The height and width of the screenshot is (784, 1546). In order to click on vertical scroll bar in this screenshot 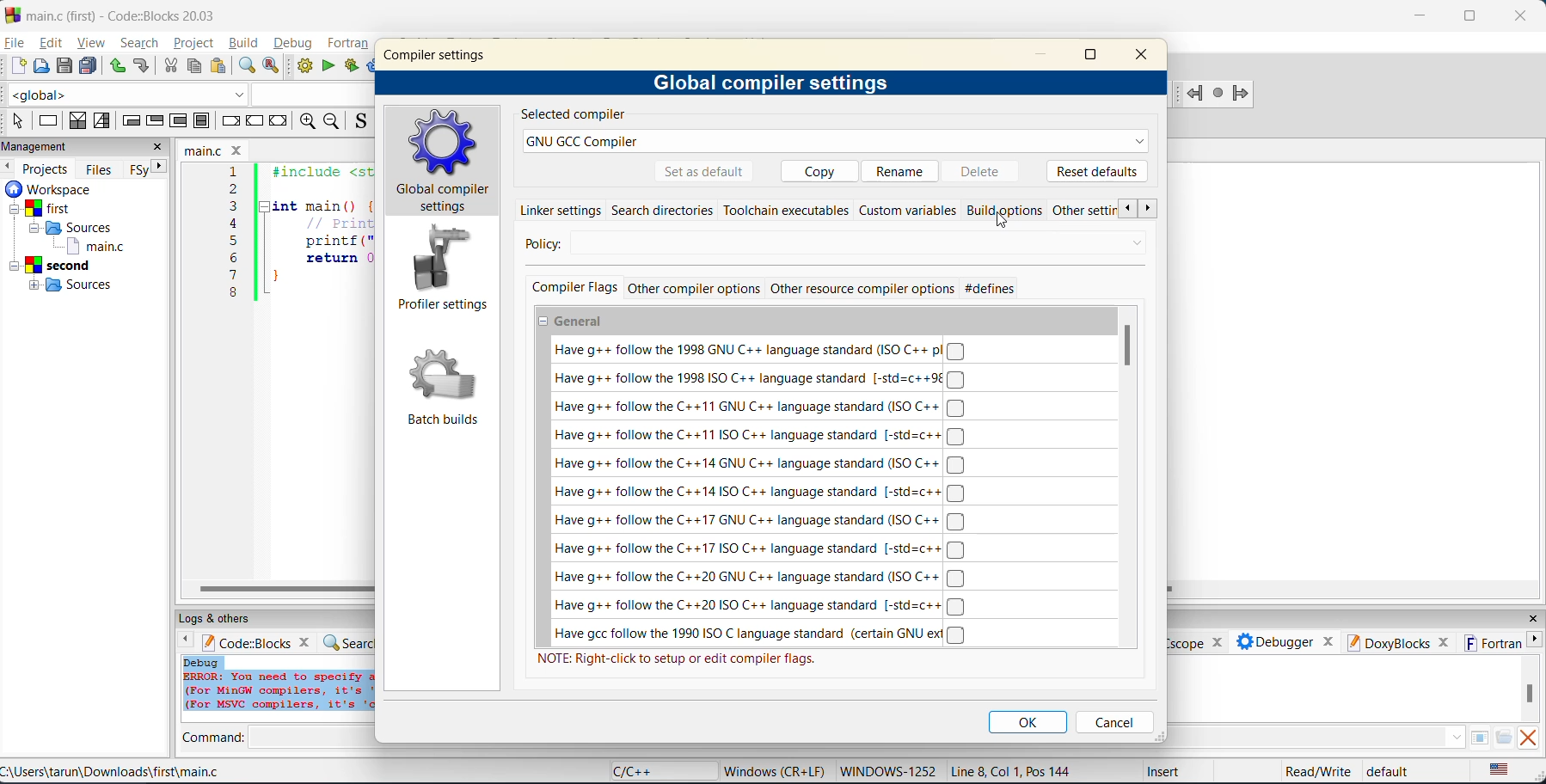, I will do `click(1129, 345)`.